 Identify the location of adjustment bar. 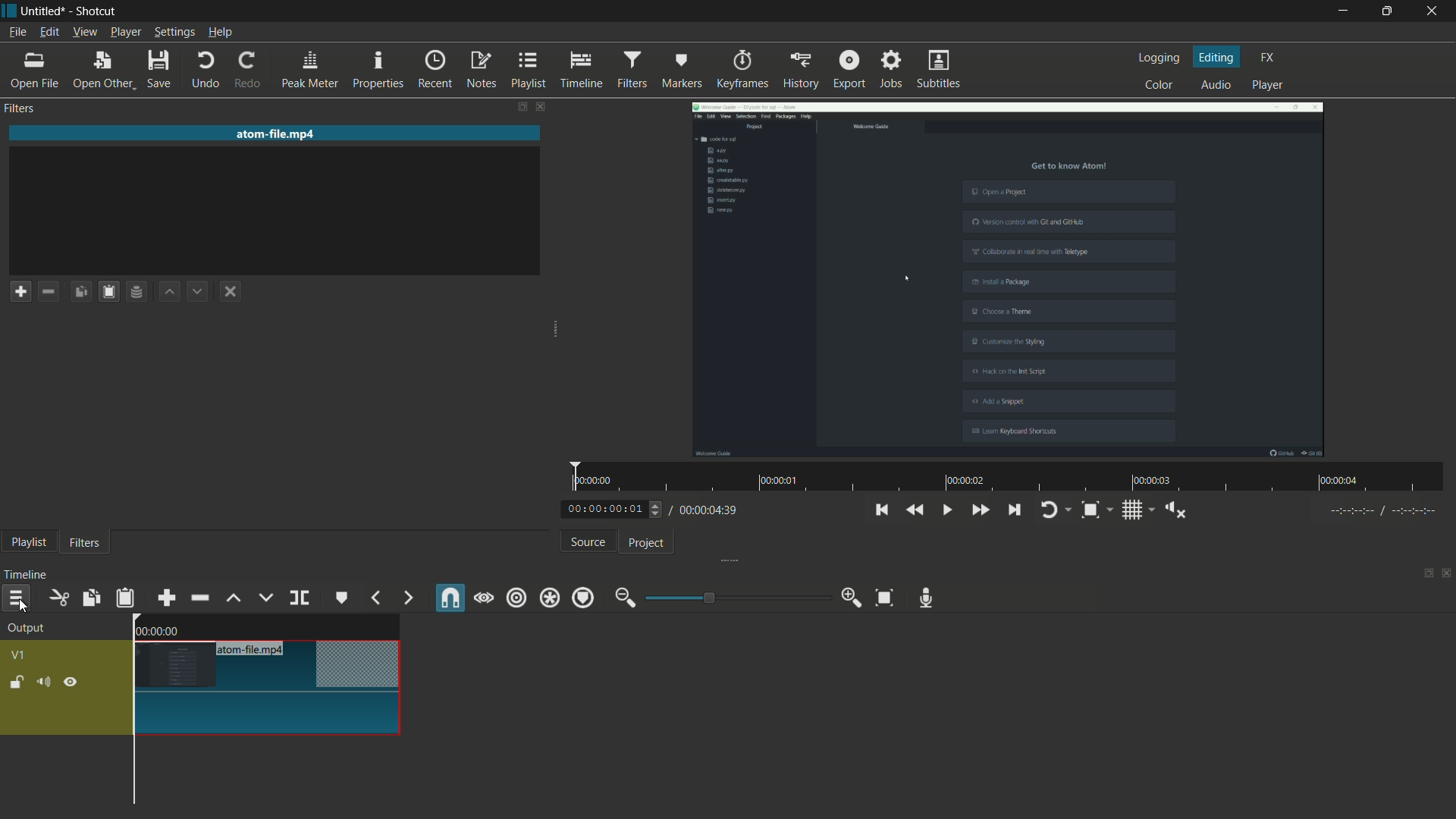
(739, 597).